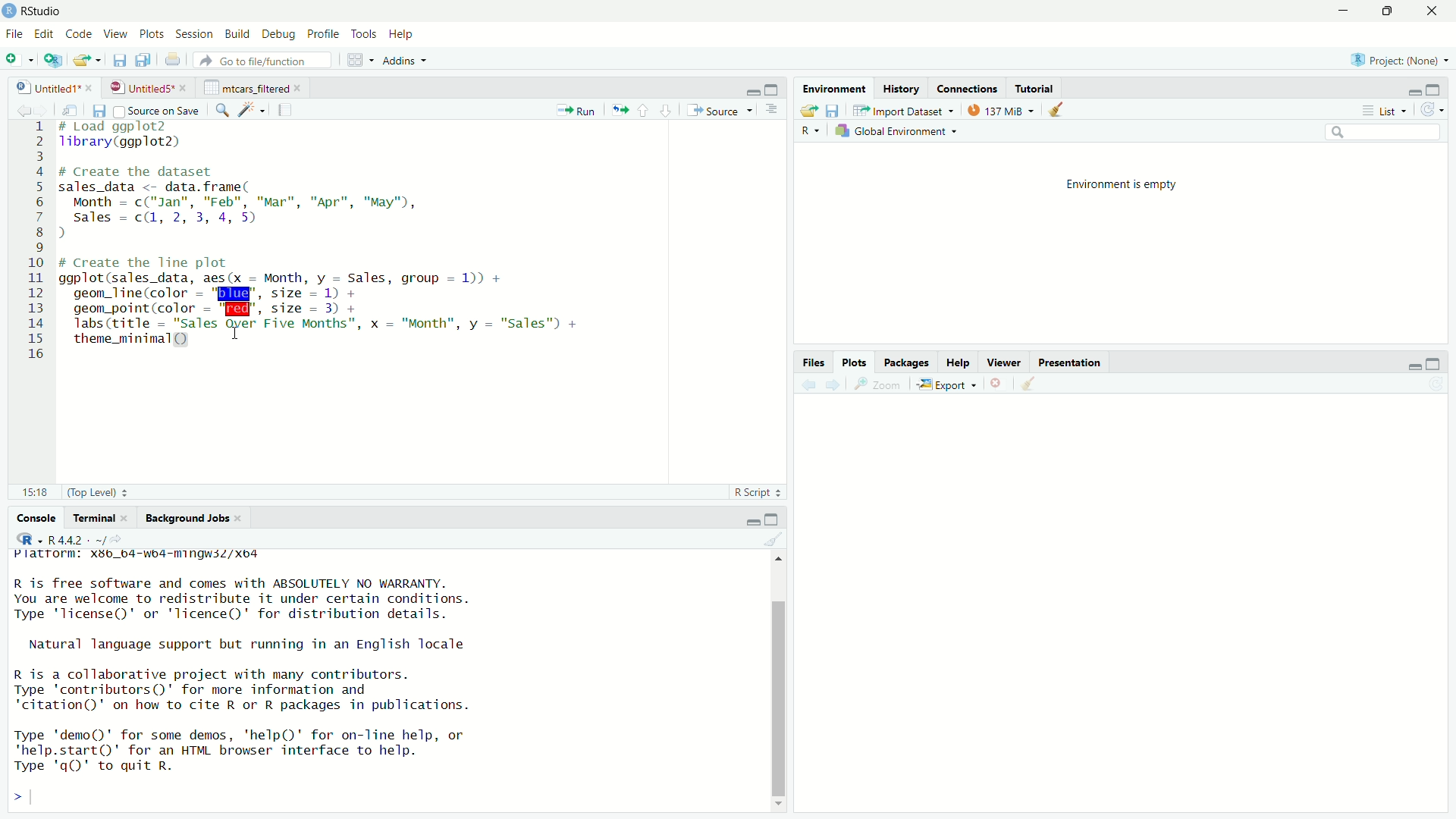 The width and height of the screenshot is (1456, 819). I want to click on session, so click(195, 35).